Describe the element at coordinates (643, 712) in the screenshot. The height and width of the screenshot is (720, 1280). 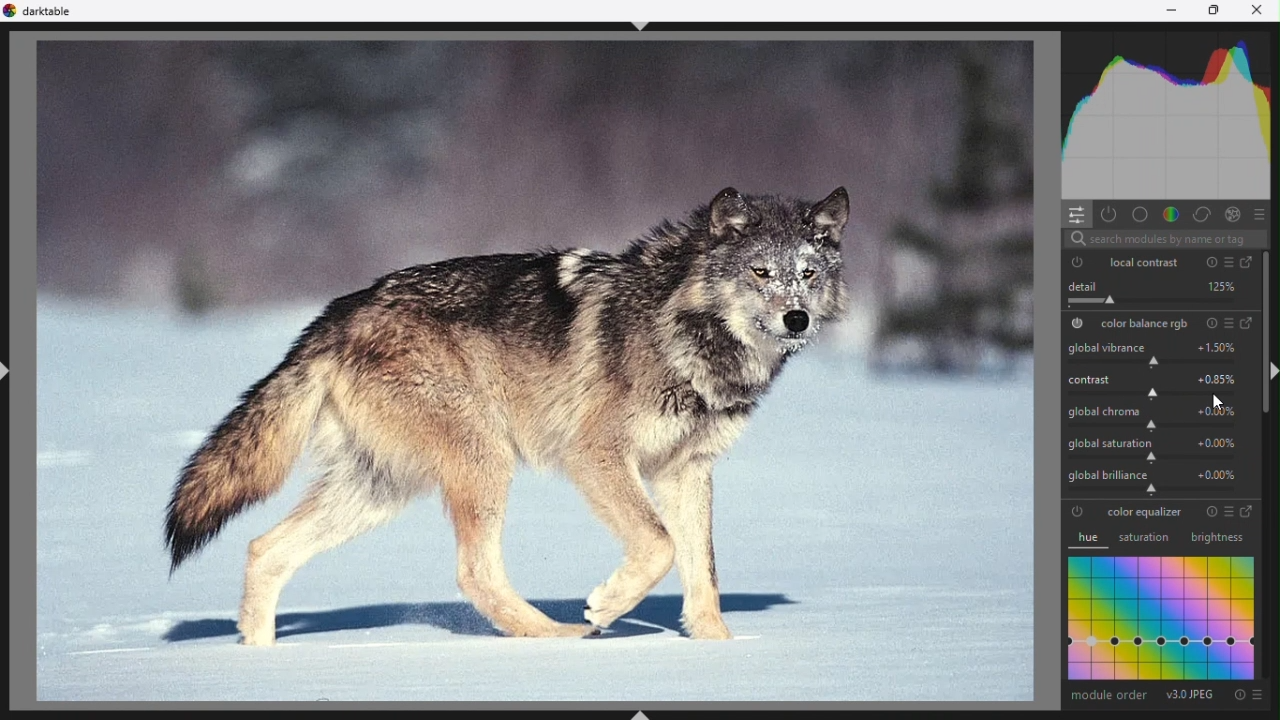
I see `shift+ctrl+b` at that location.